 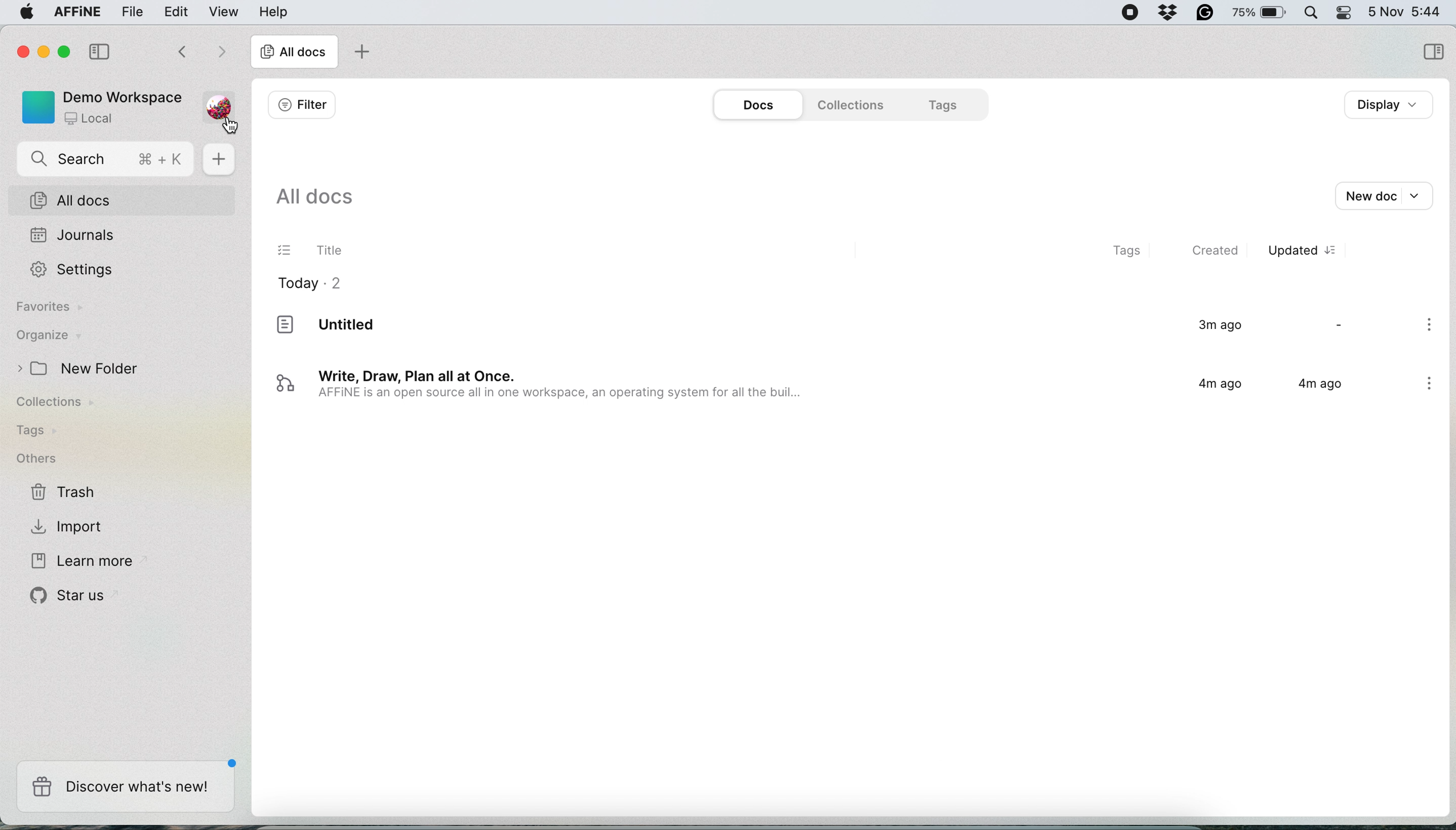 What do you see at coordinates (294, 54) in the screenshot?
I see `all docs` at bounding box center [294, 54].